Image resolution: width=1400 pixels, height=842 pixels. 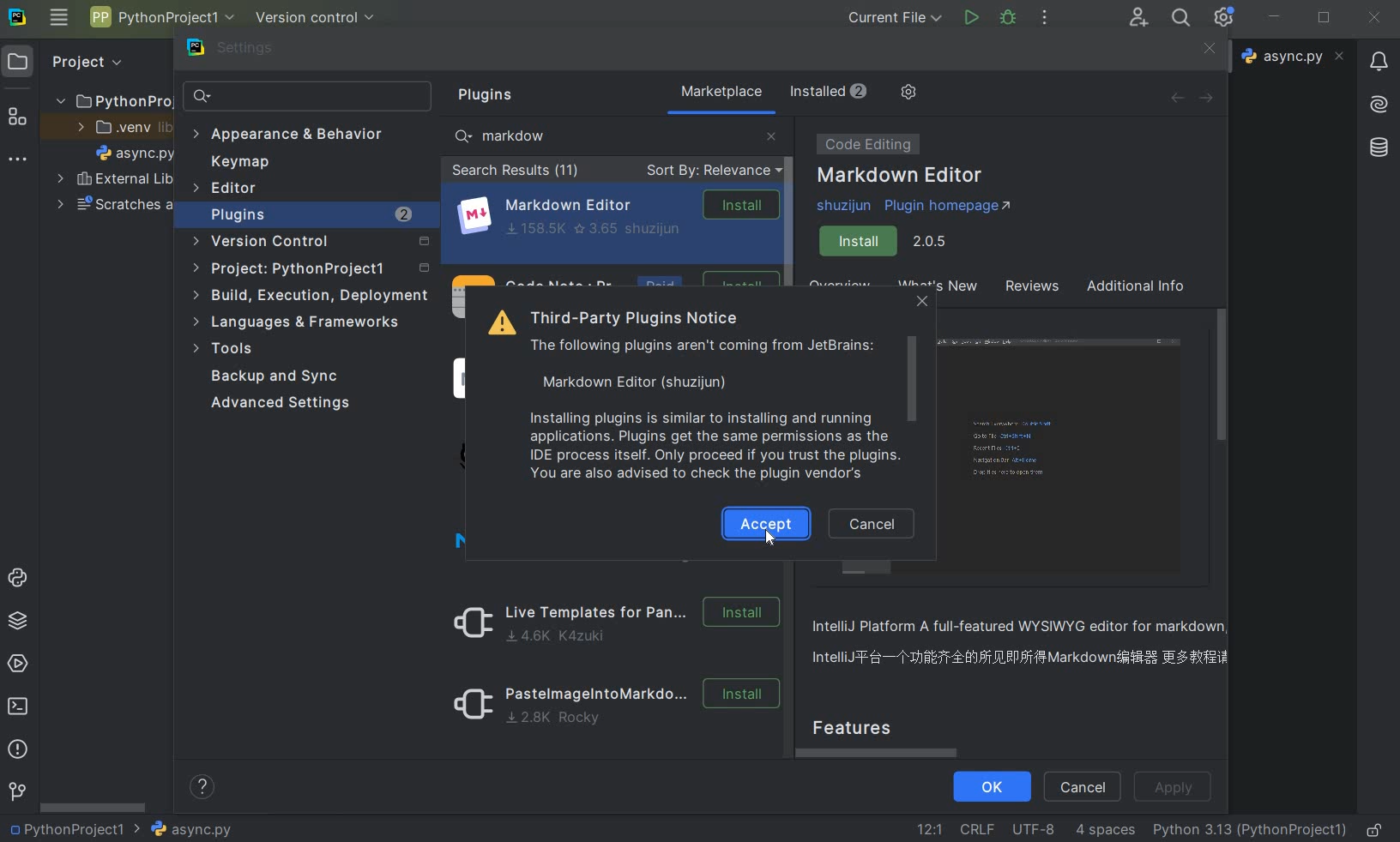 What do you see at coordinates (913, 382) in the screenshot?
I see `scrollbar` at bounding box center [913, 382].